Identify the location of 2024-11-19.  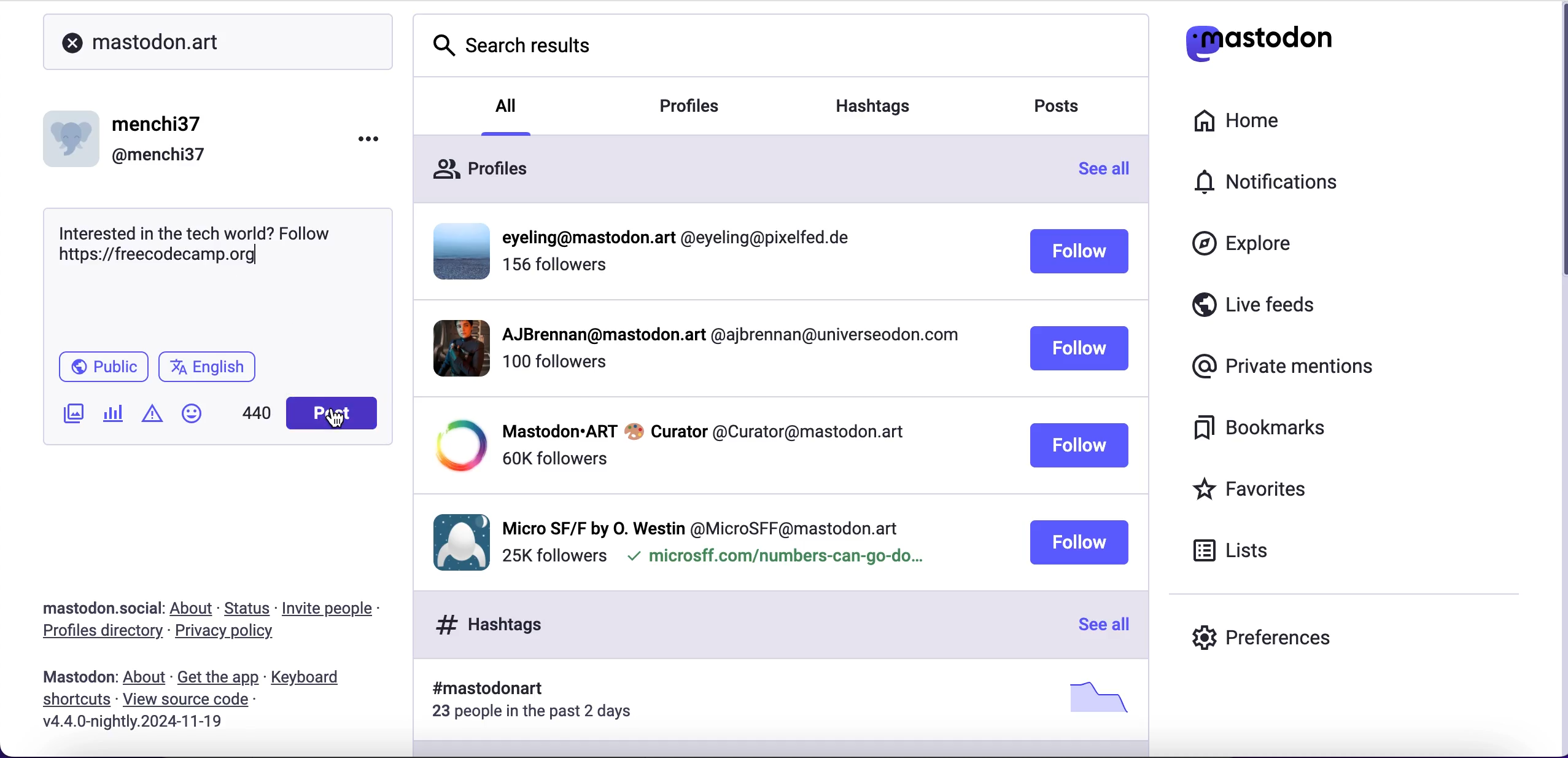
(152, 724).